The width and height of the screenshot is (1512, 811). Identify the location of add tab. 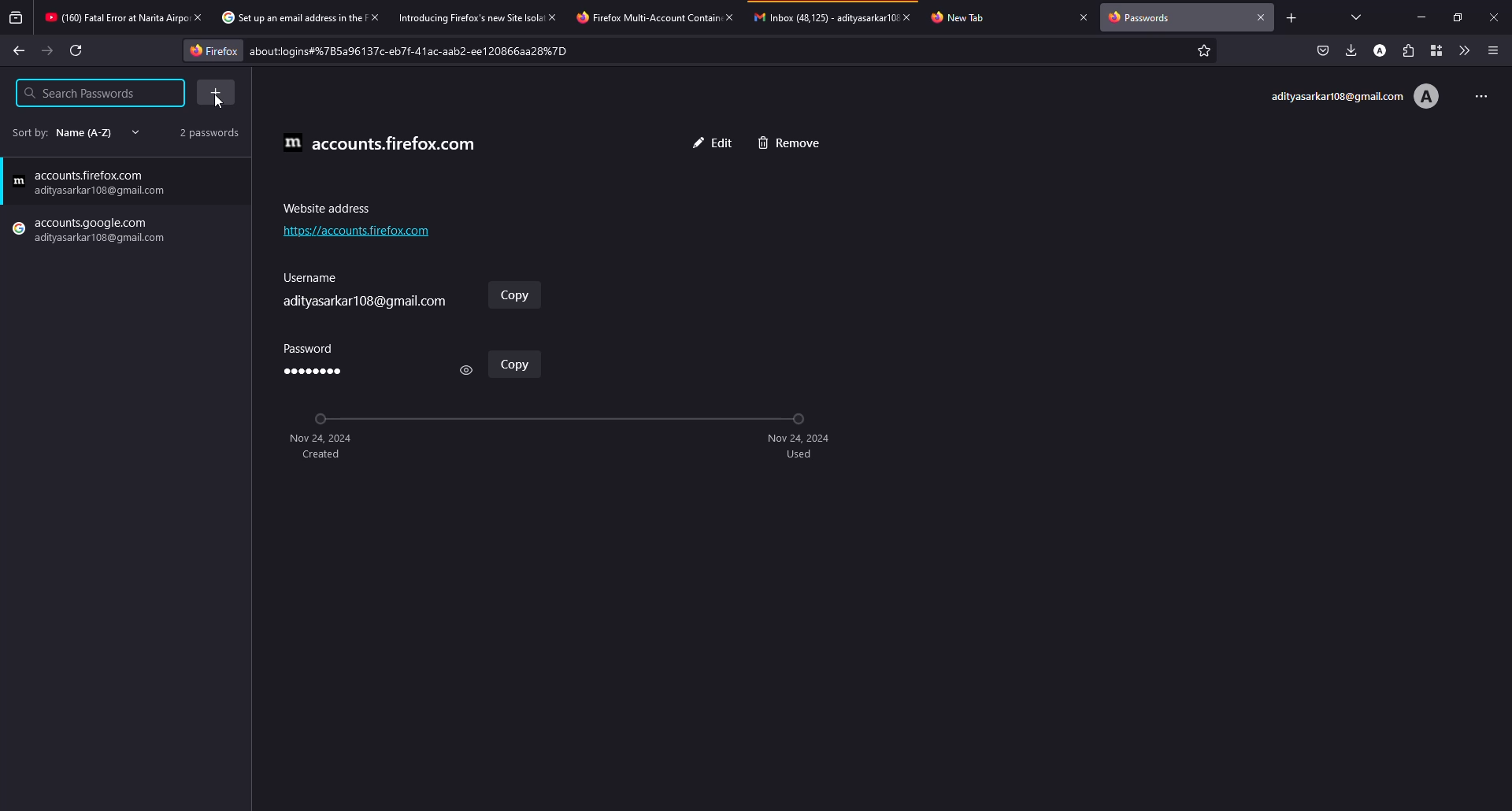
(1291, 17).